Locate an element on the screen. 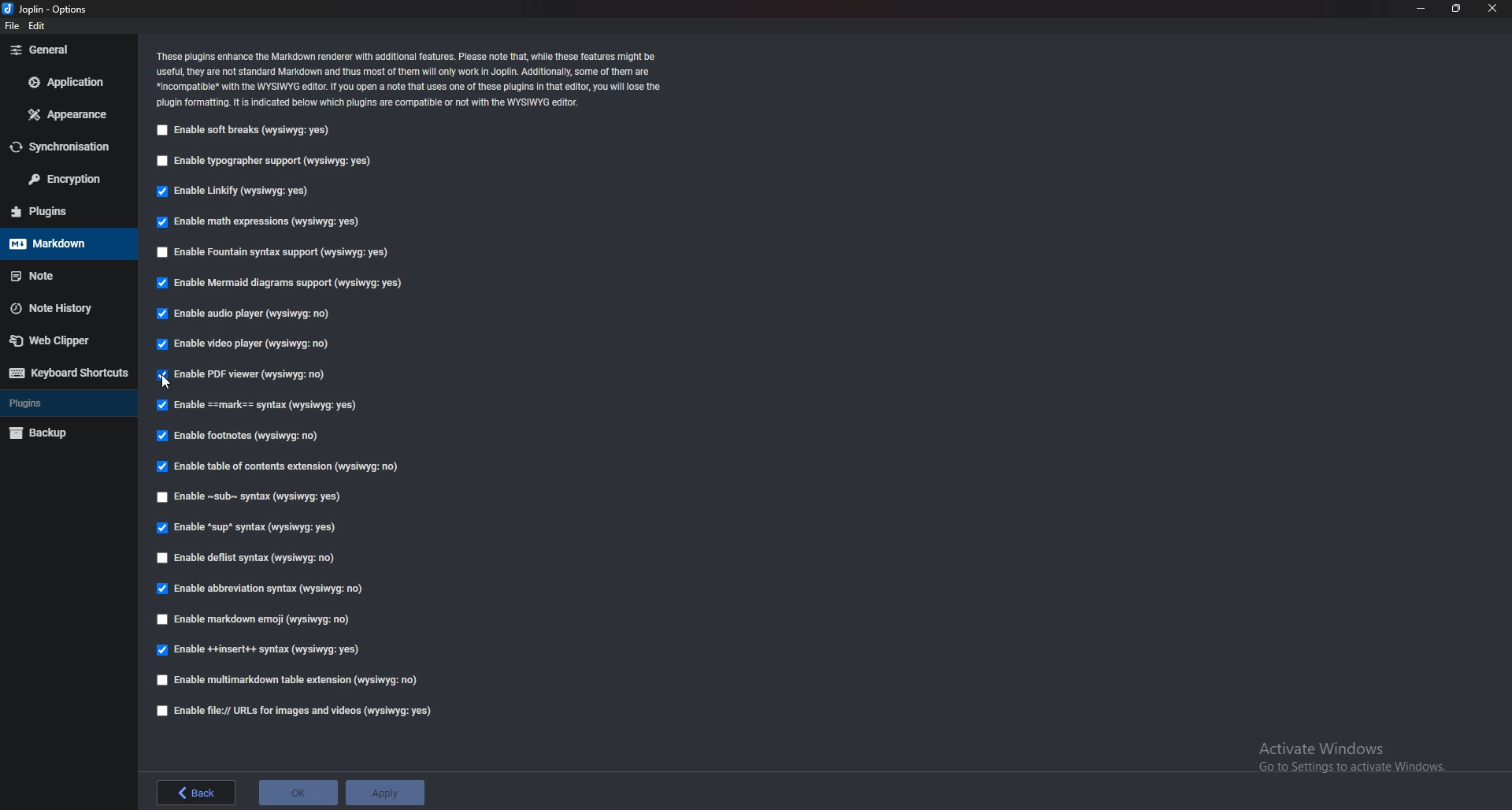 This screenshot has height=810, width=1512. Info is located at coordinates (427, 78).